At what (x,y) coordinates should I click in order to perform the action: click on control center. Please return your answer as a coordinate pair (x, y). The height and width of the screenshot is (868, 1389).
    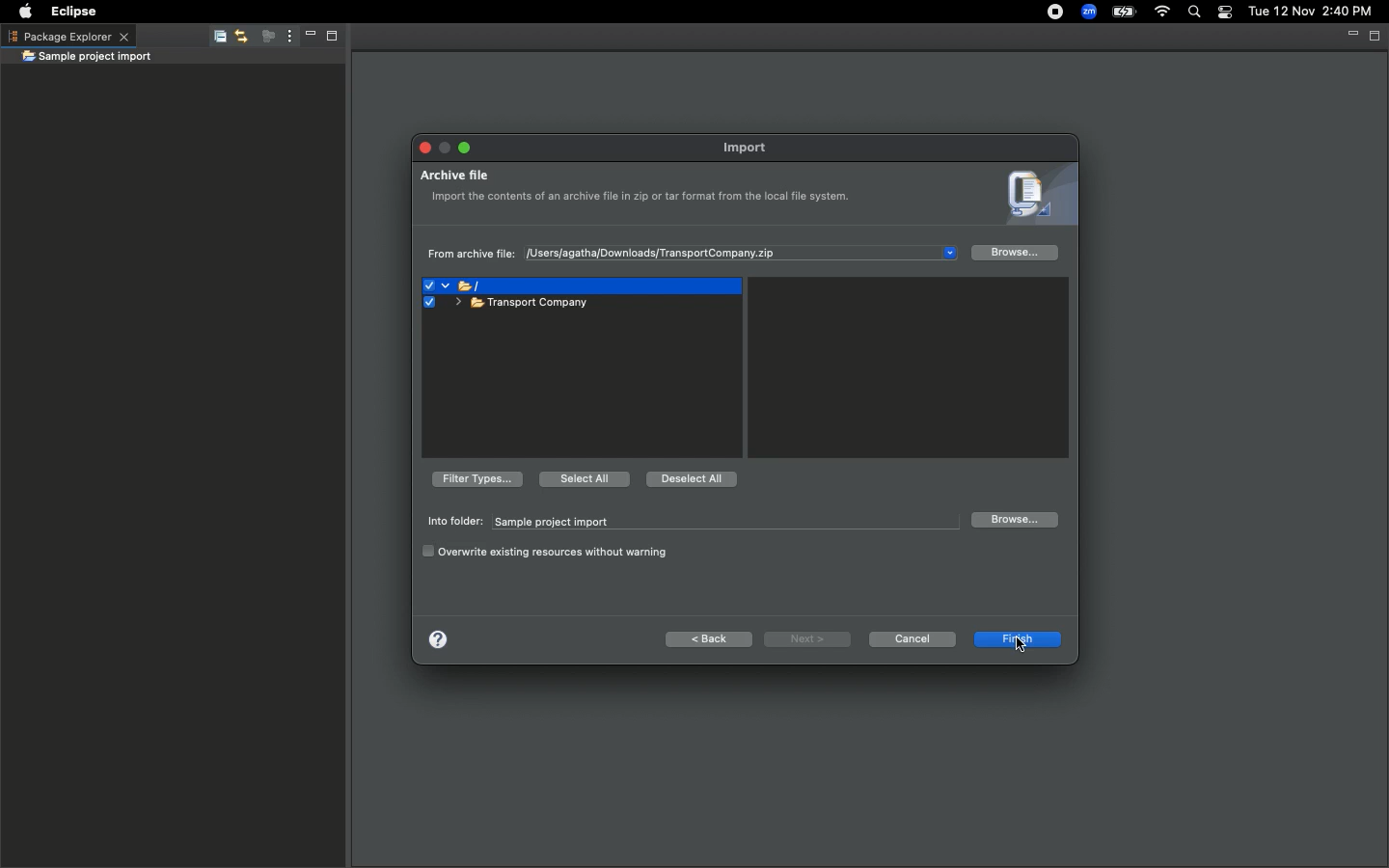
    Looking at the image, I should click on (1223, 13).